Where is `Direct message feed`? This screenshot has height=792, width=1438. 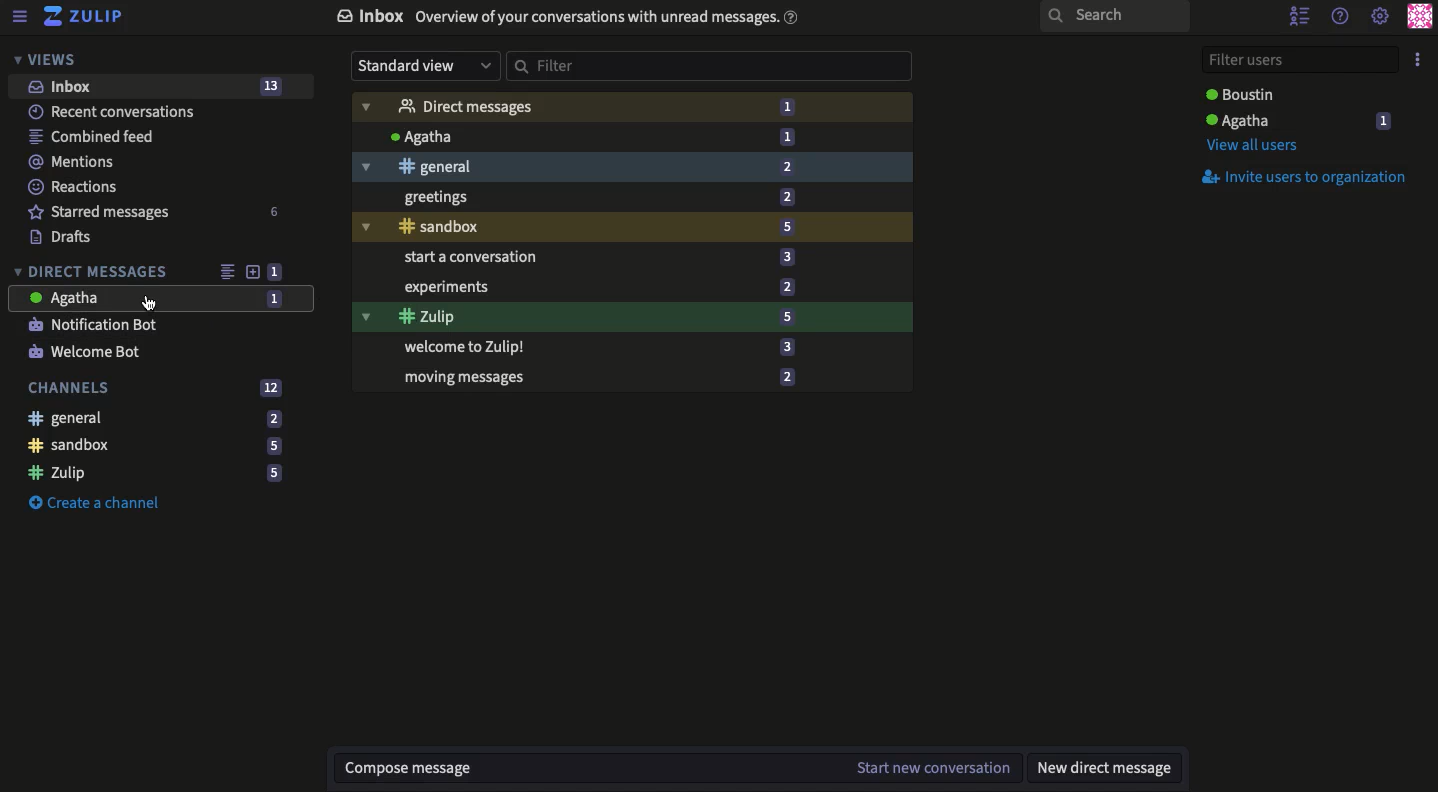
Direct message feed is located at coordinates (226, 269).